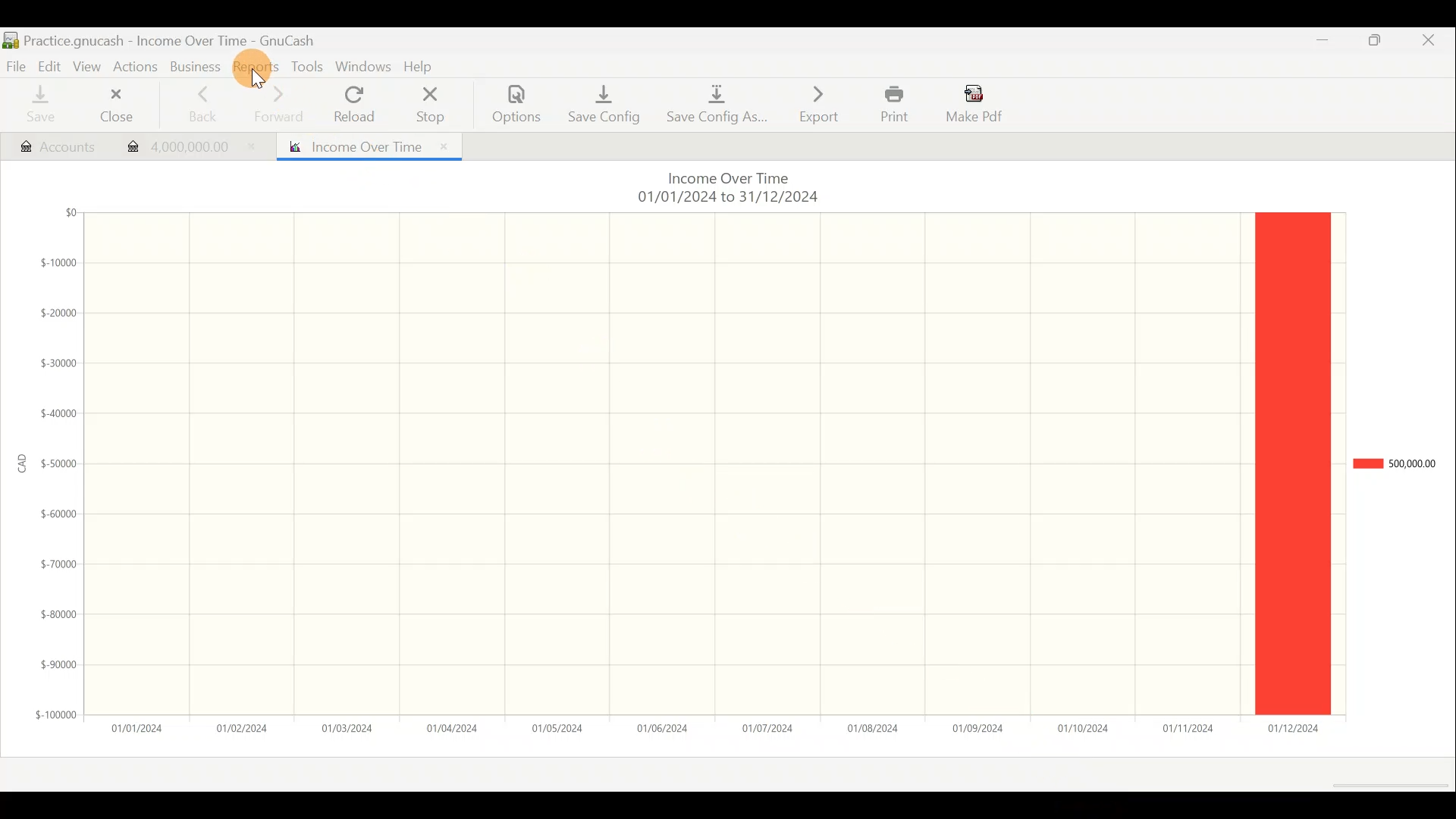 The image size is (1456, 819). What do you see at coordinates (1326, 40) in the screenshot?
I see `Minimise` at bounding box center [1326, 40].